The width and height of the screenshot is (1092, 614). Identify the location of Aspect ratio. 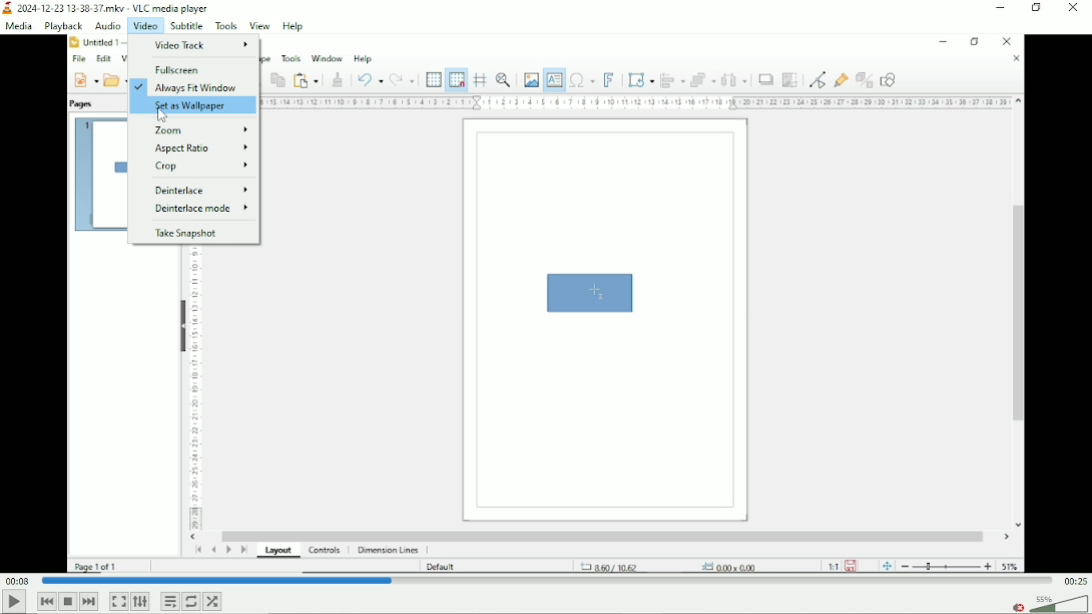
(200, 147).